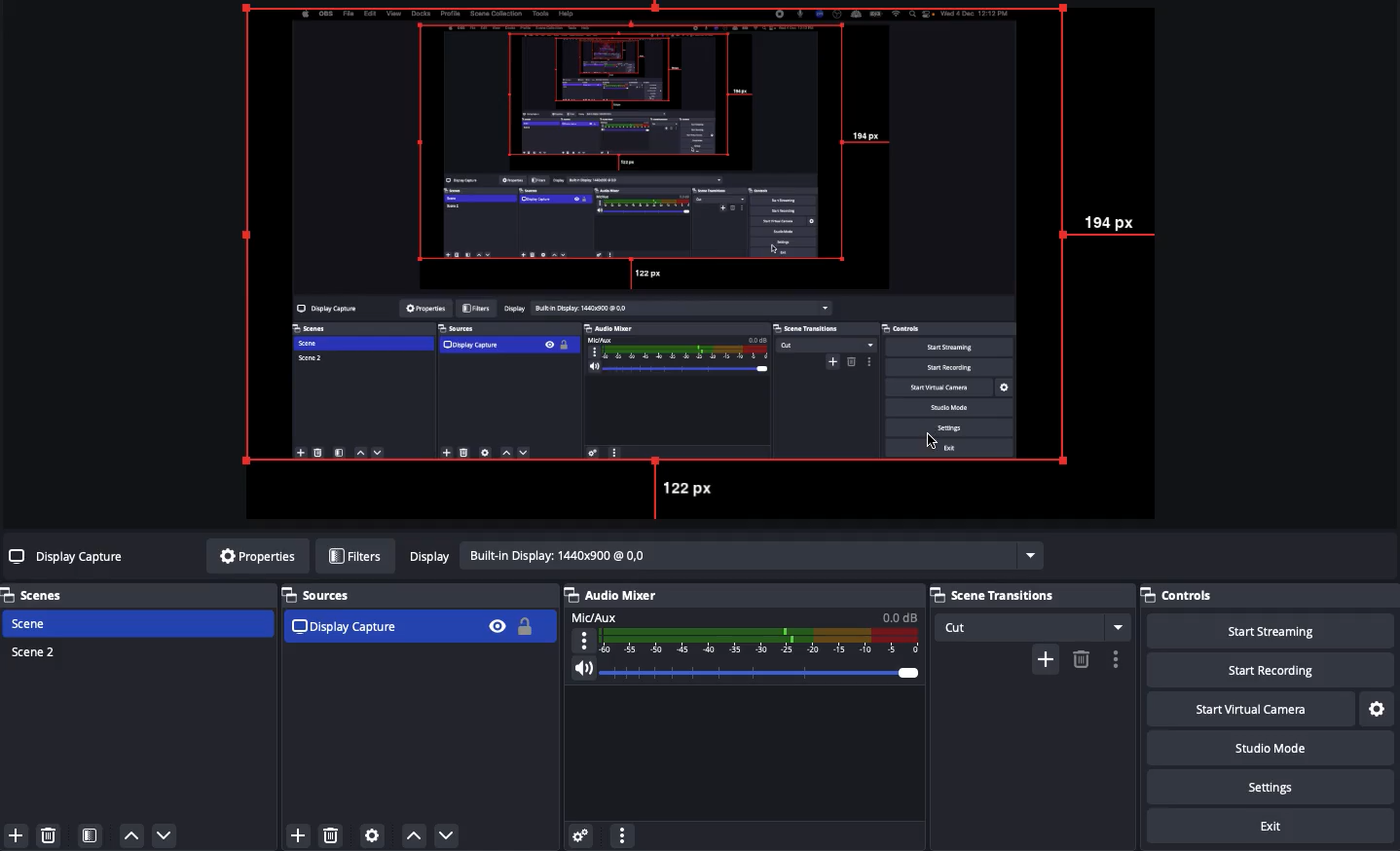 This screenshot has height=851, width=1400. What do you see at coordinates (930, 437) in the screenshot?
I see `Cursor` at bounding box center [930, 437].